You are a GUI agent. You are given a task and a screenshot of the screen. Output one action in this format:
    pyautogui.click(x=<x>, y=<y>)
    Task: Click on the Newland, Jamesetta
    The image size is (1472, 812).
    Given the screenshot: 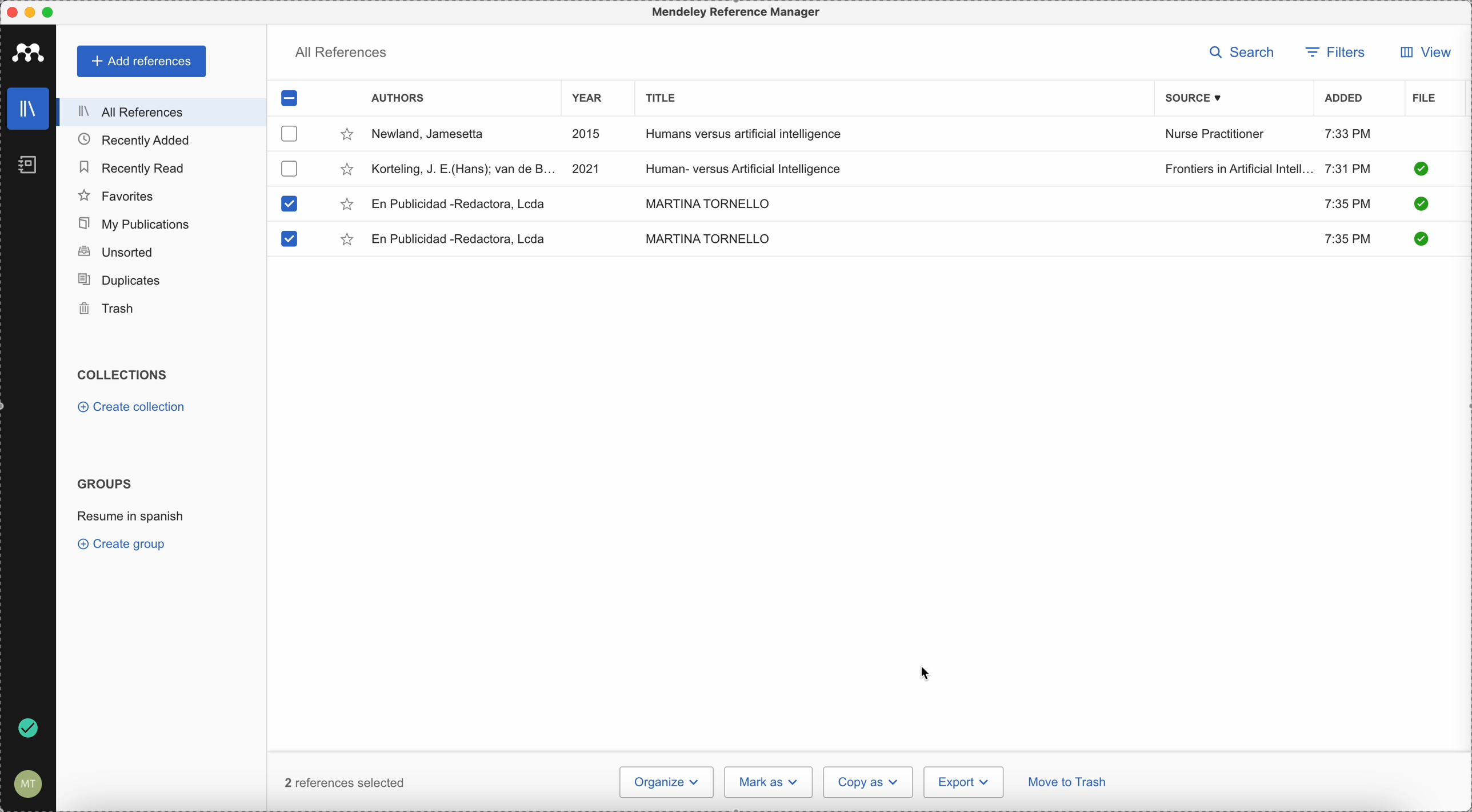 What is the action you would take?
    pyautogui.click(x=434, y=135)
    